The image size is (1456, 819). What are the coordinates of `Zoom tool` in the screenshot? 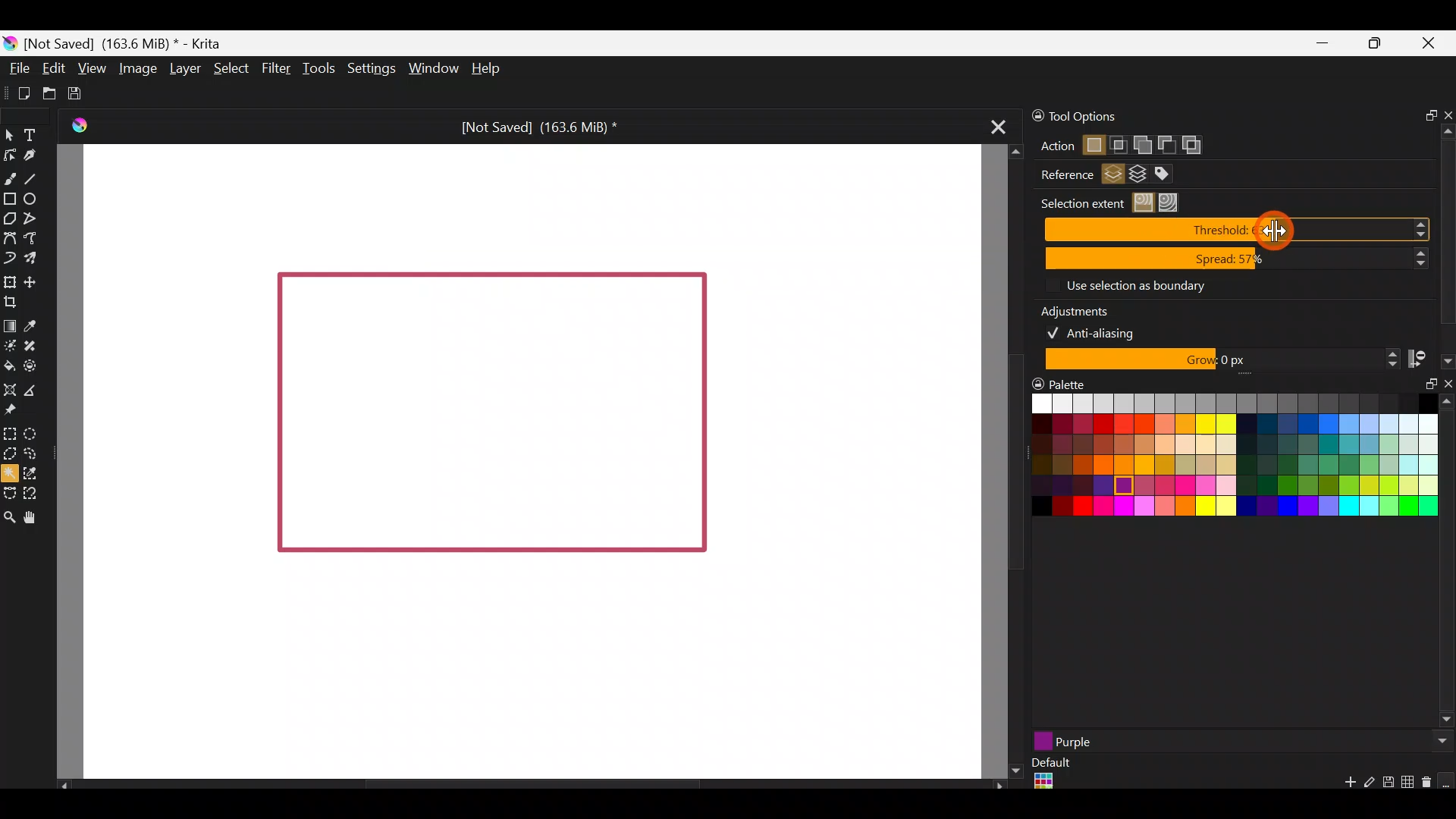 It's located at (9, 516).